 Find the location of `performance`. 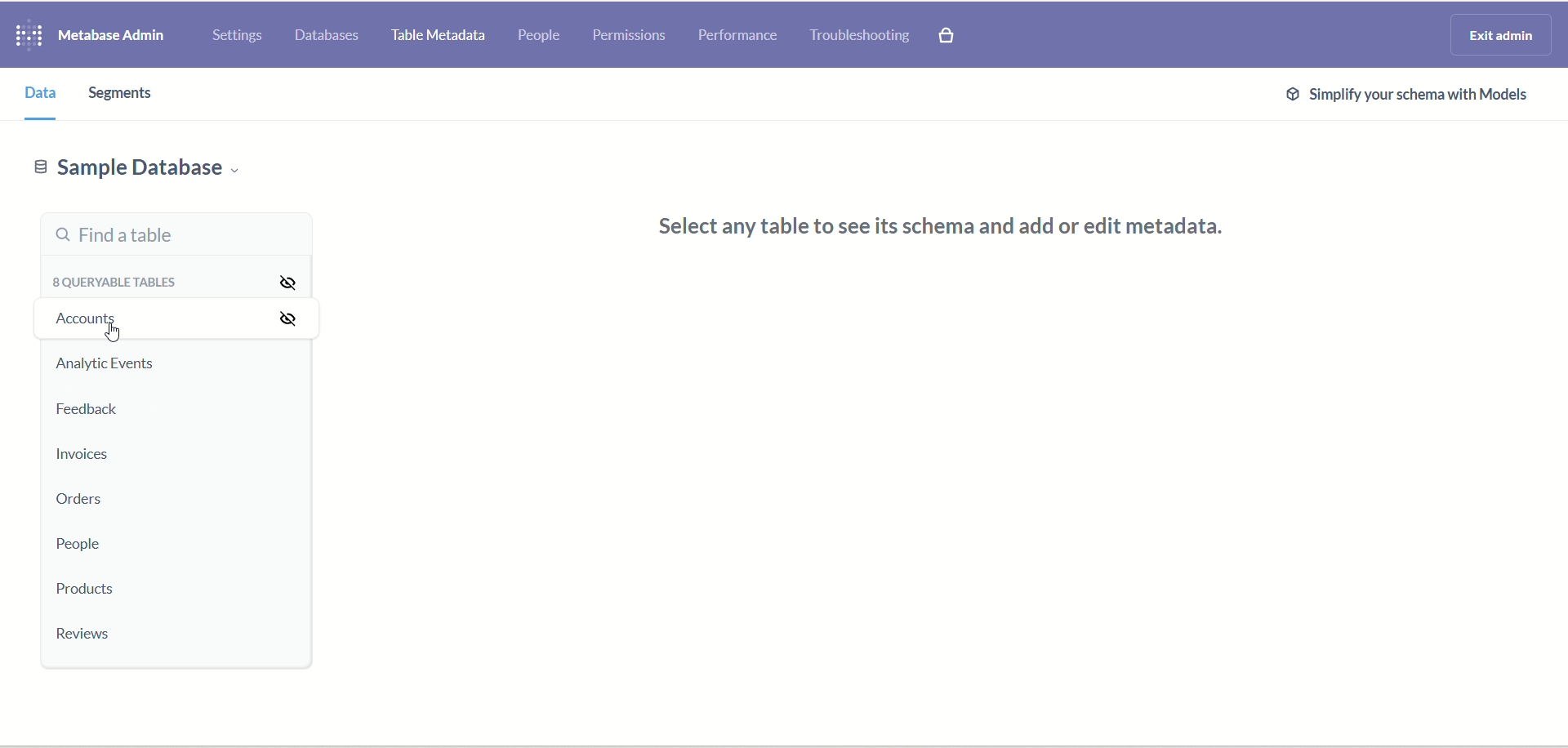

performance is located at coordinates (737, 38).